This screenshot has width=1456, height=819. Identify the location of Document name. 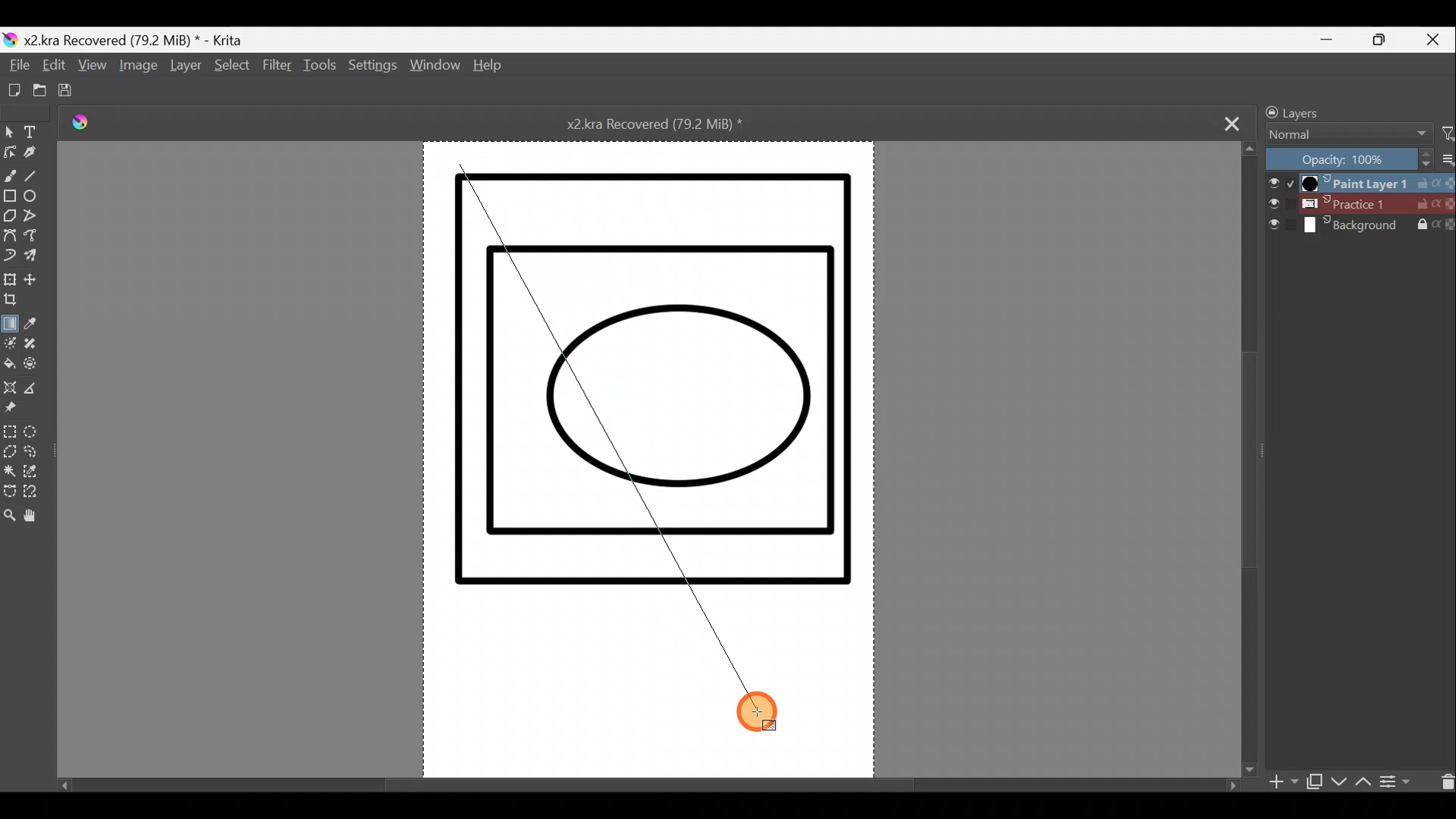
(132, 39).